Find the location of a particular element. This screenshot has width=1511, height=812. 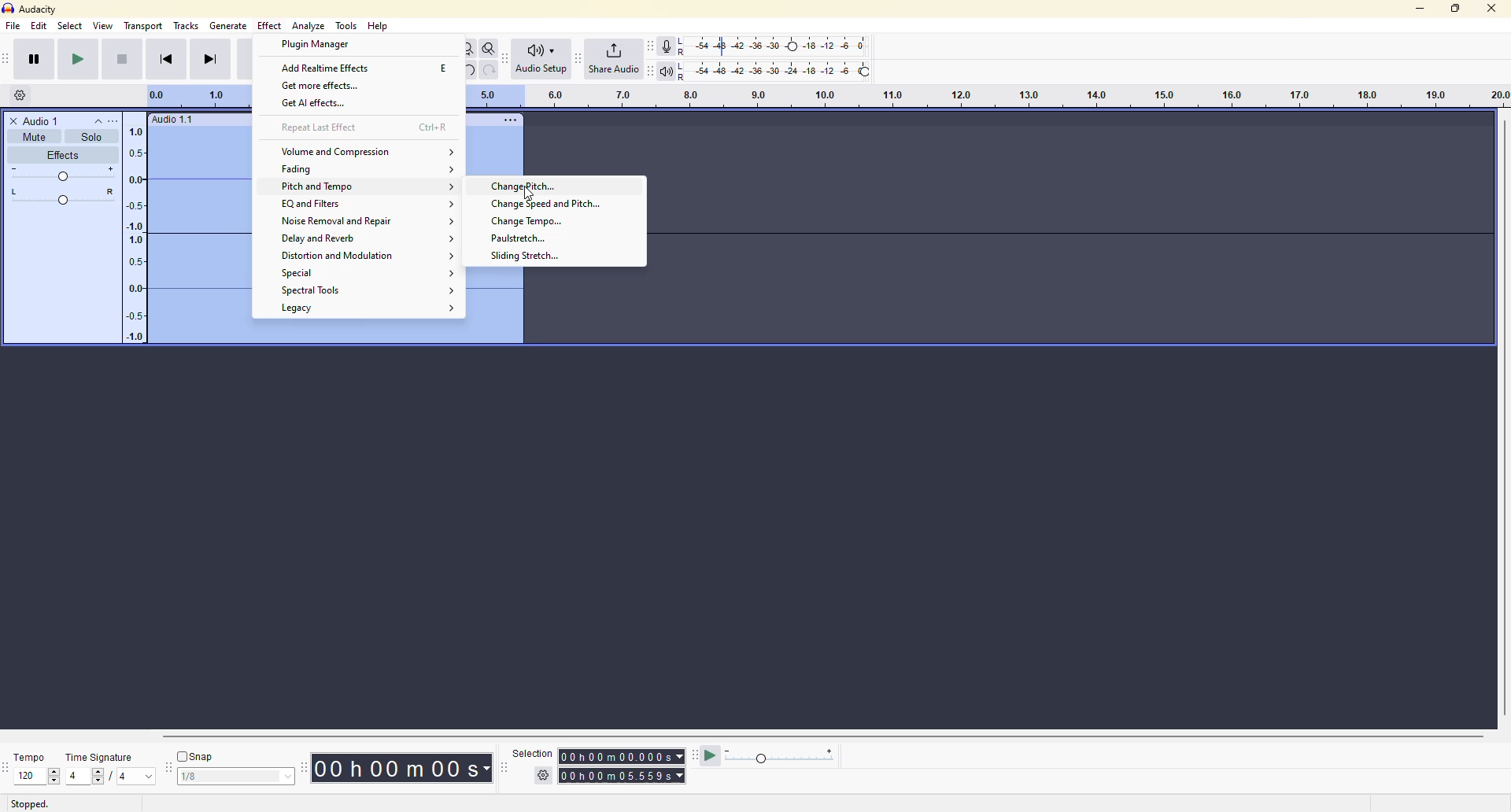

effects is located at coordinates (61, 156).